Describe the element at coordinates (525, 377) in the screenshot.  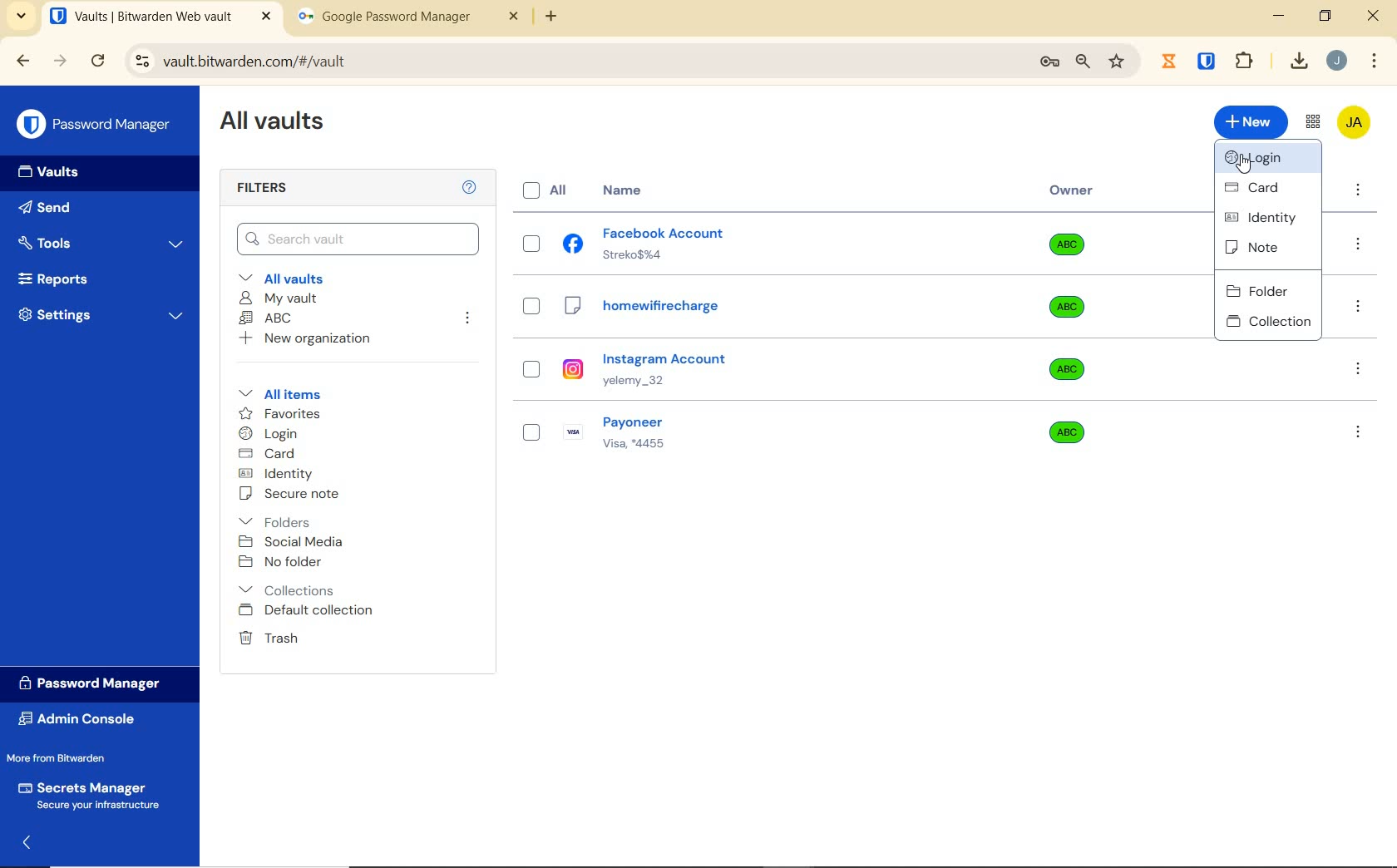
I see `check box` at that location.